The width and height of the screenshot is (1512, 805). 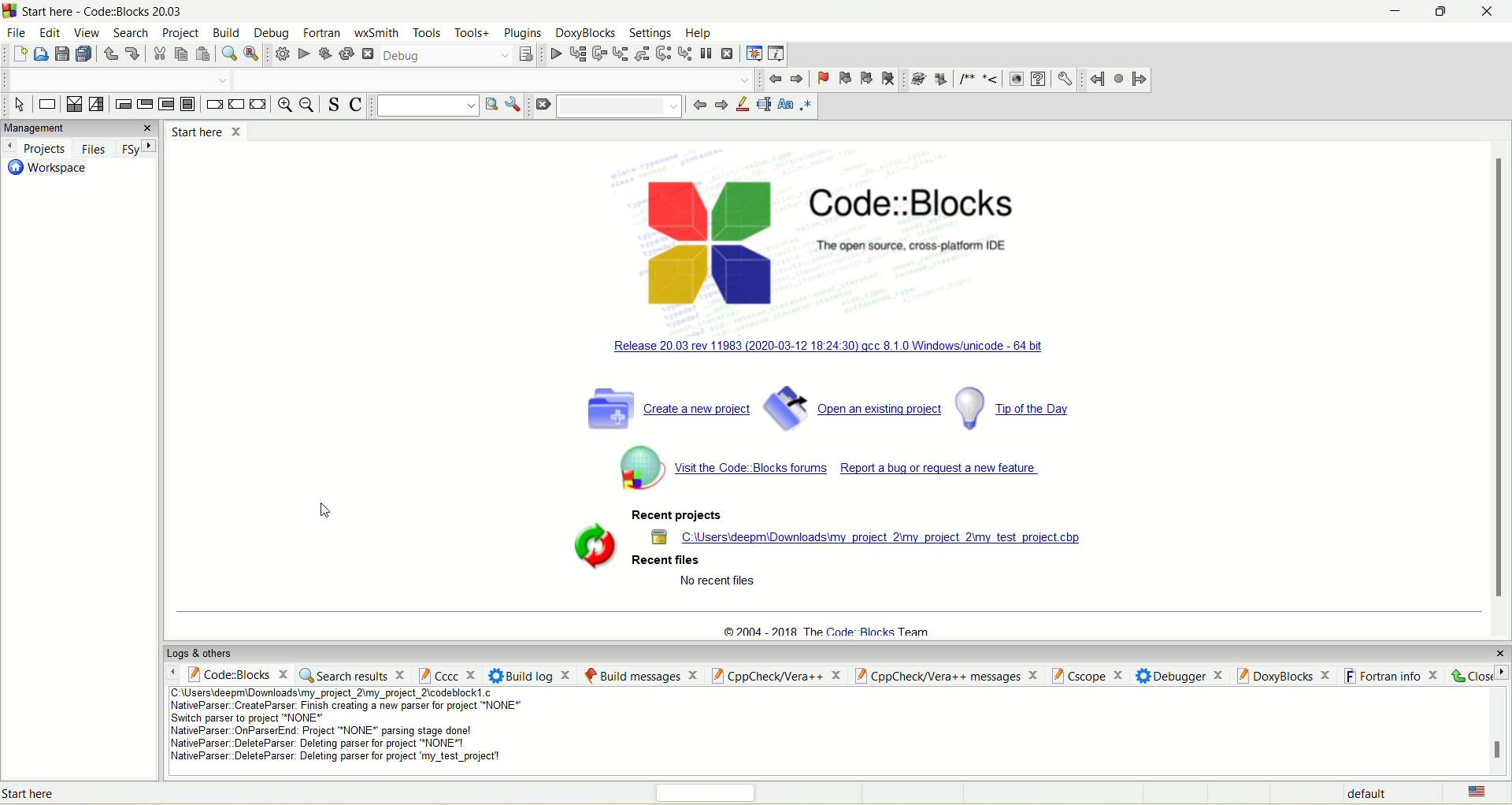 I want to click on toggle bookmark, so click(x=821, y=79).